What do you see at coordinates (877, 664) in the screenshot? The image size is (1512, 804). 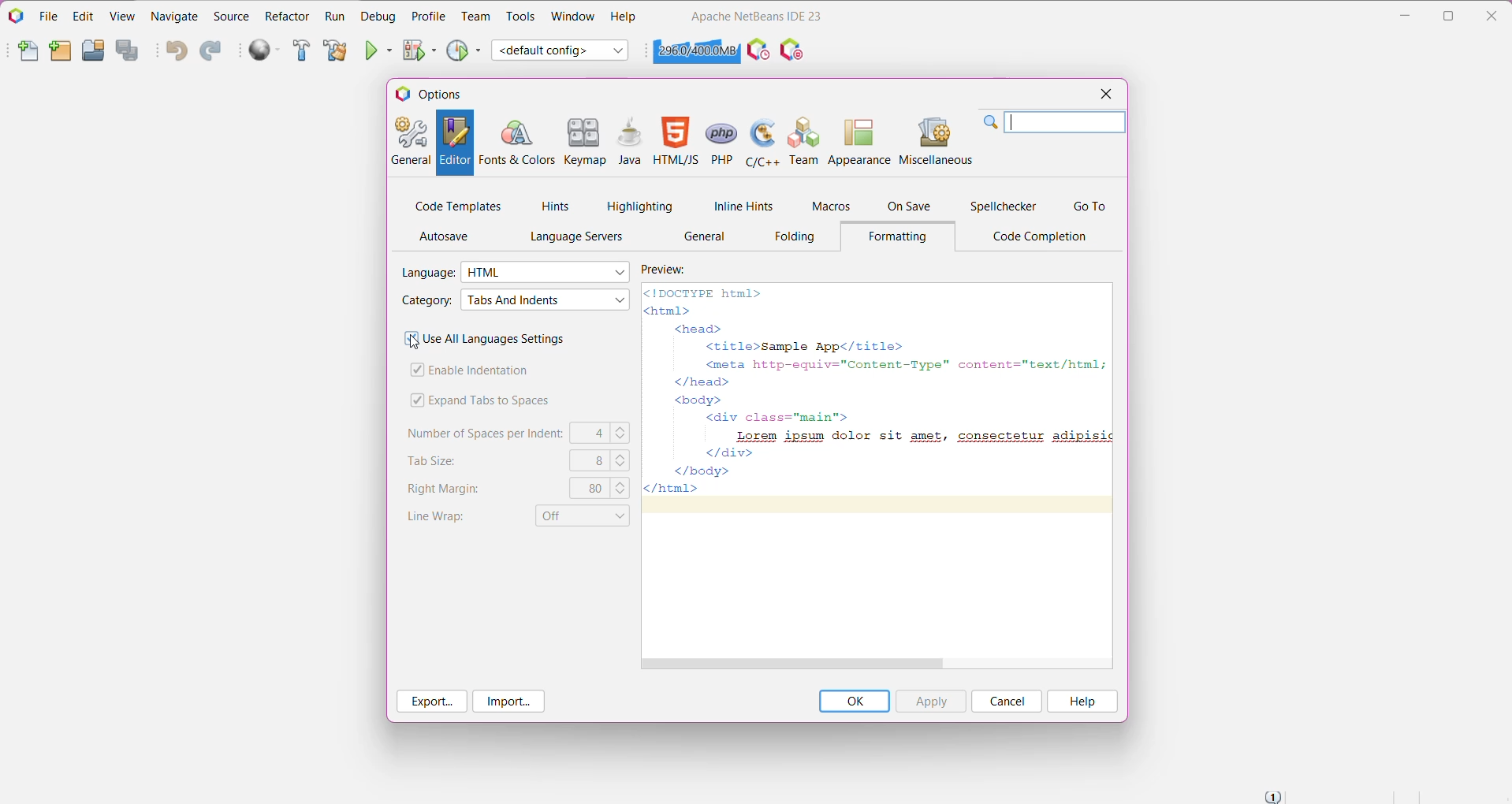 I see `Horizontal Scroll Bar` at bounding box center [877, 664].